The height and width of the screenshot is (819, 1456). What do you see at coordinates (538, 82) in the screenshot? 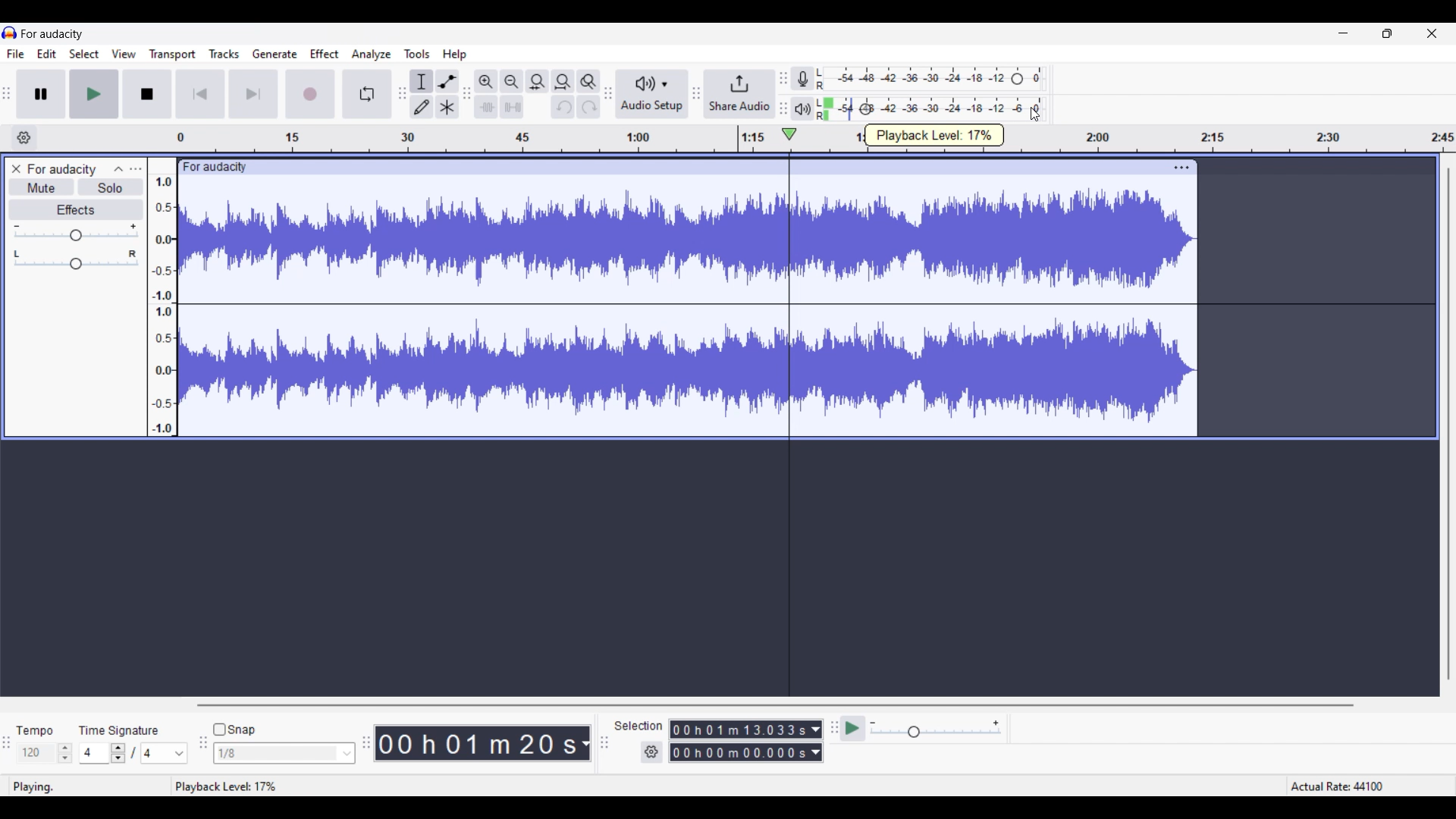
I see `Fit selection to width` at bounding box center [538, 82].